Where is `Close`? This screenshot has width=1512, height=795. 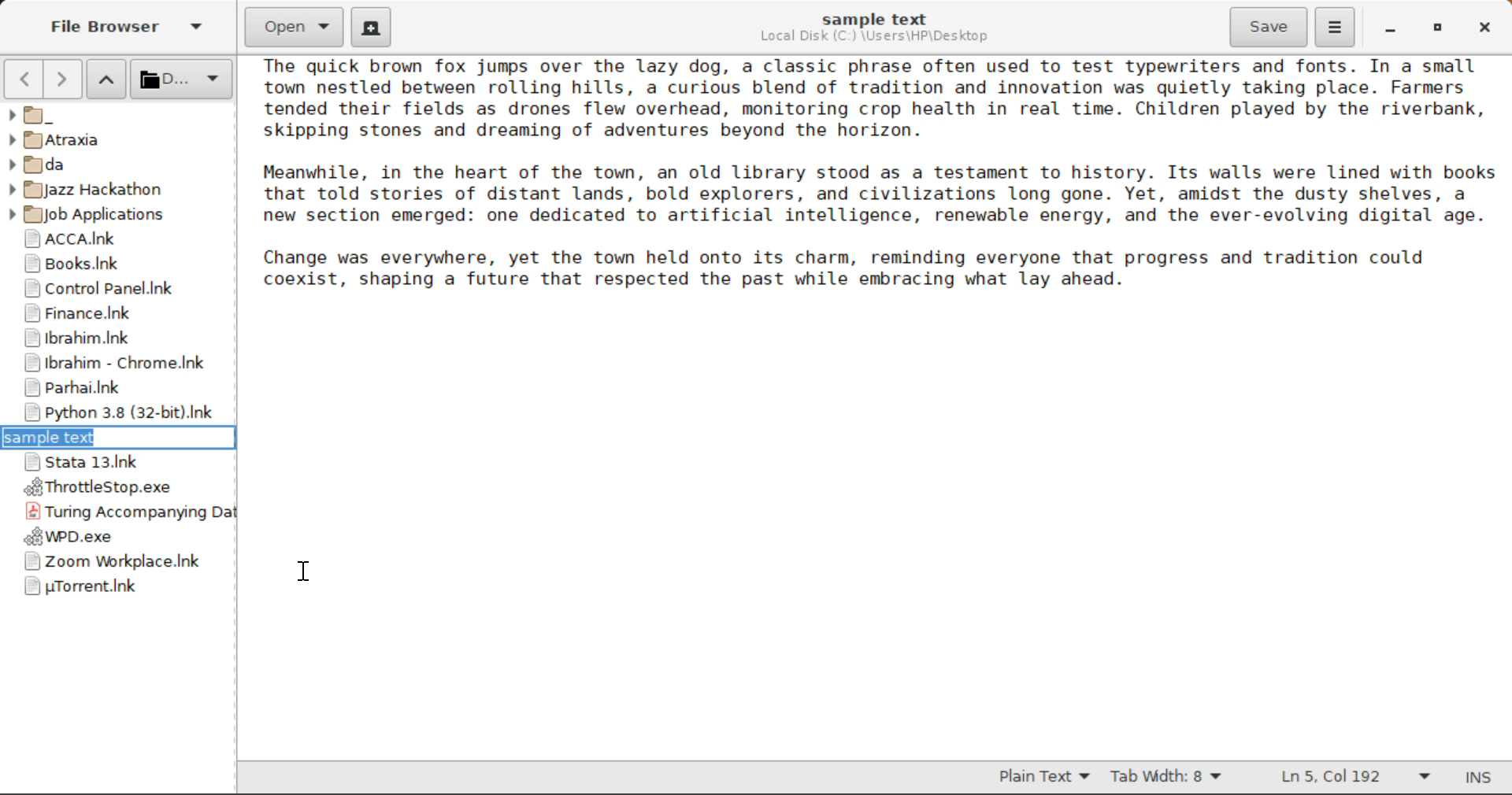
Close is located at coordinates (1482, 28).